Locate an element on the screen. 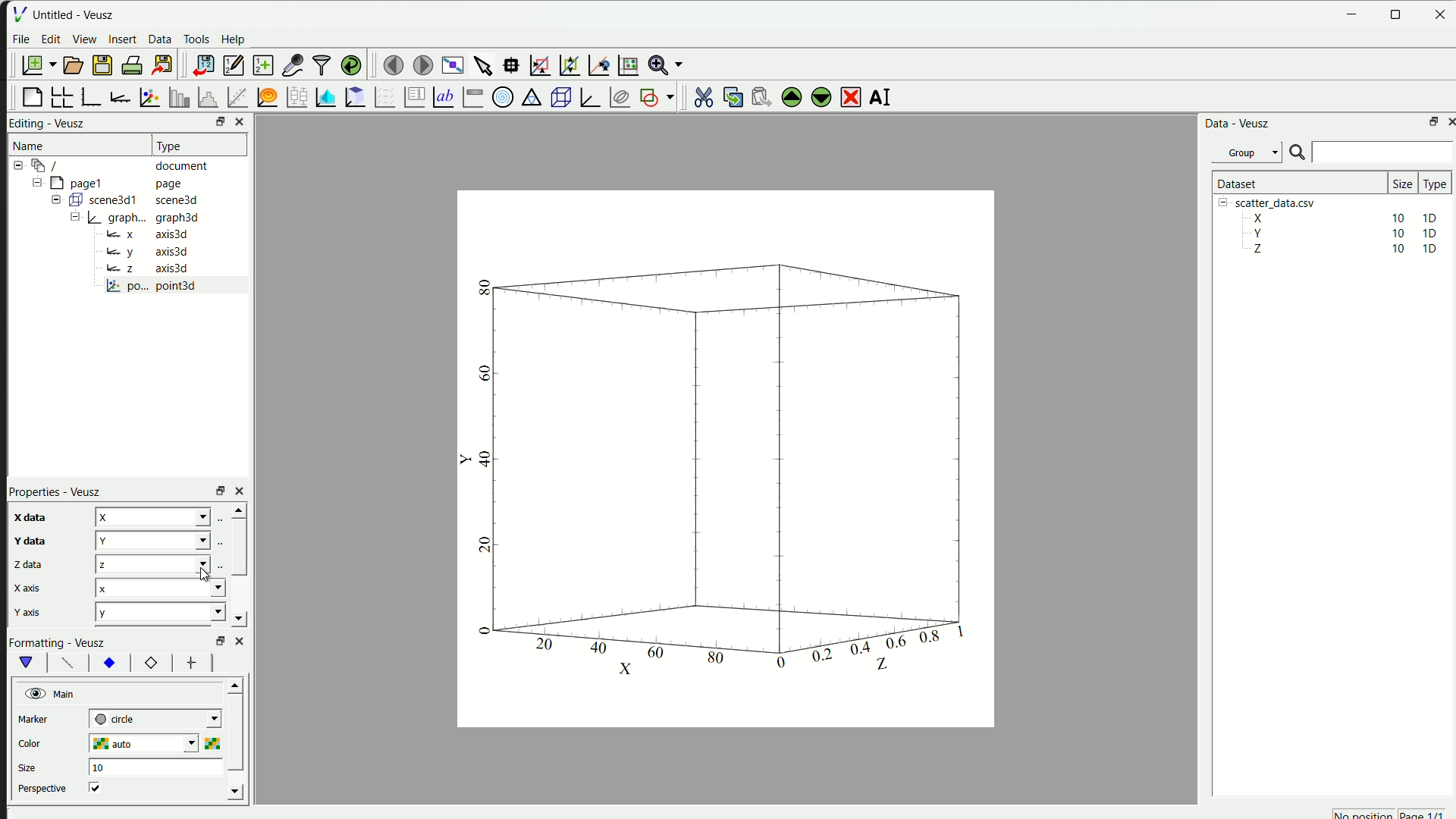 This screenshot has height=819, width=1456. plot a vector field is located at coordinates (382, 97).